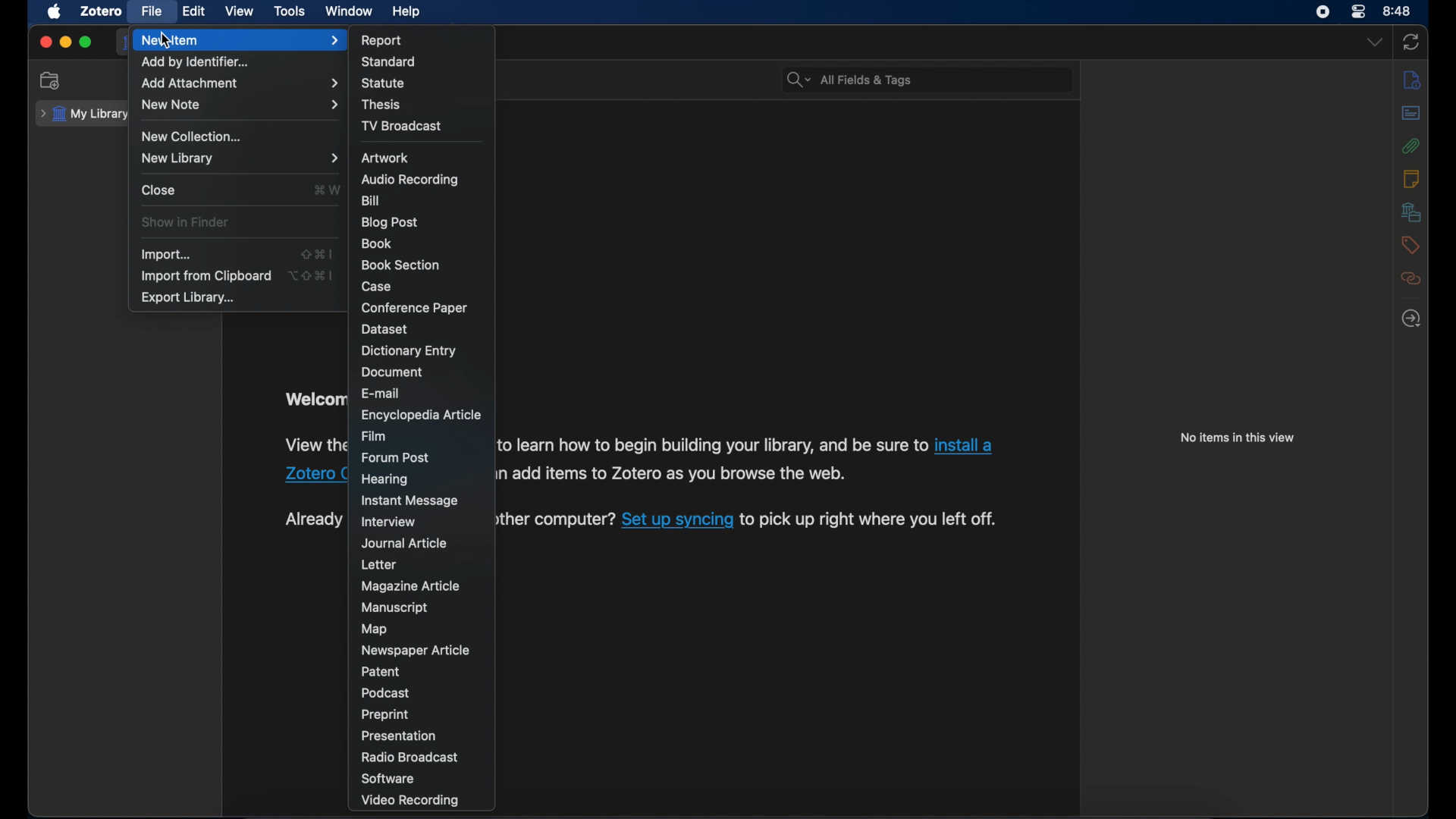 The width and height of the screenshot is (1456, 819). I want to click on apple, so click(55, 12).